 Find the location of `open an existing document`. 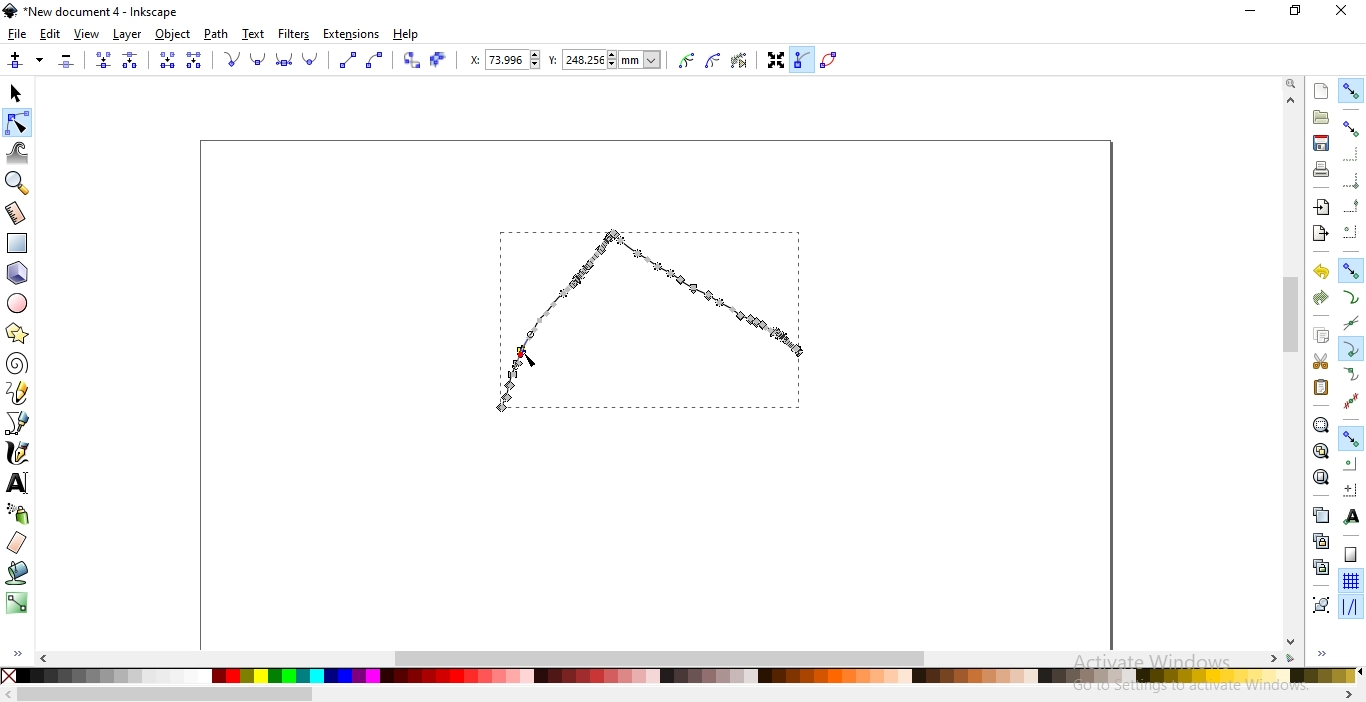

open an existing document is located at coordinates (1321, 117).